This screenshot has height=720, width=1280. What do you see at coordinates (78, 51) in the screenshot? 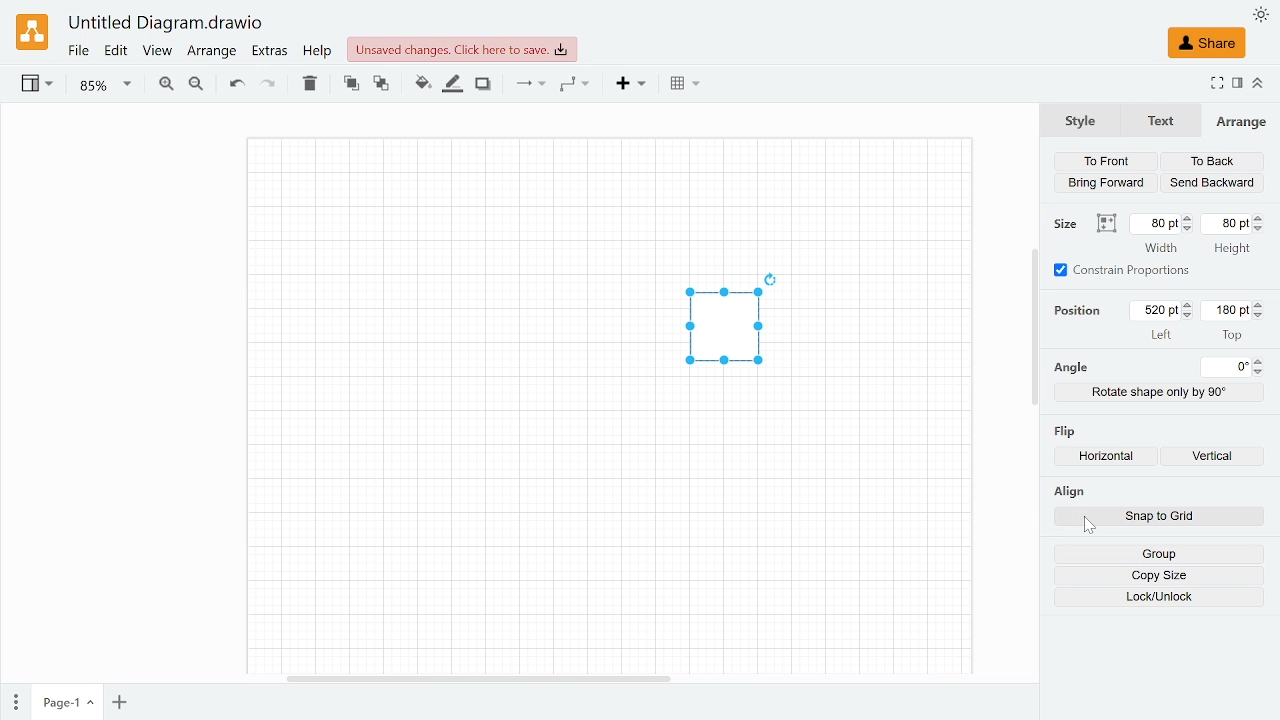
I see `File` at bounding box center [78, 51].